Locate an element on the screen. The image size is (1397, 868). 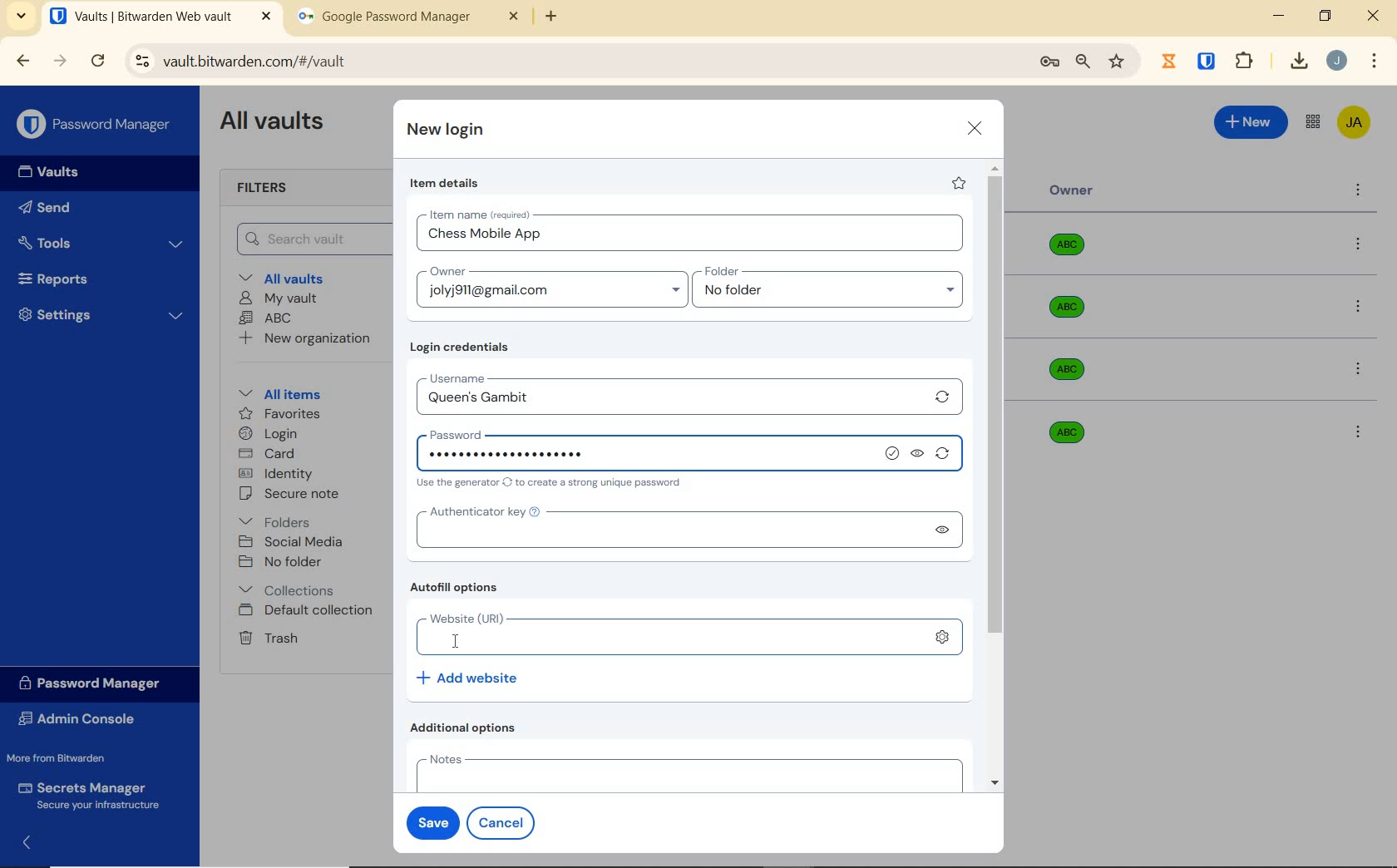
cursor is located at coordinates (457, 642).